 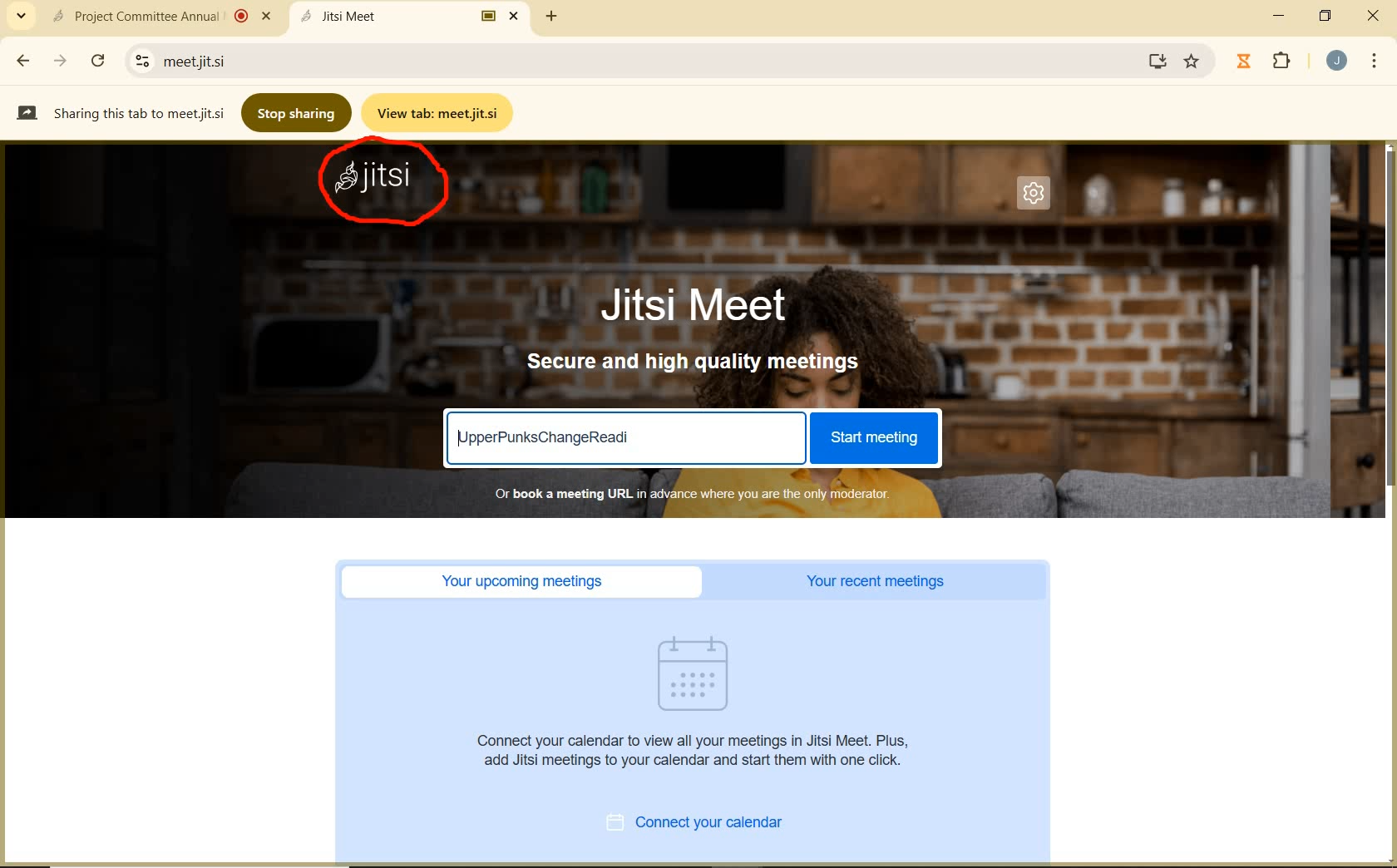 I want to click on VIEW TAB: MEET.JIT.SI, so click(x=441, y=112).